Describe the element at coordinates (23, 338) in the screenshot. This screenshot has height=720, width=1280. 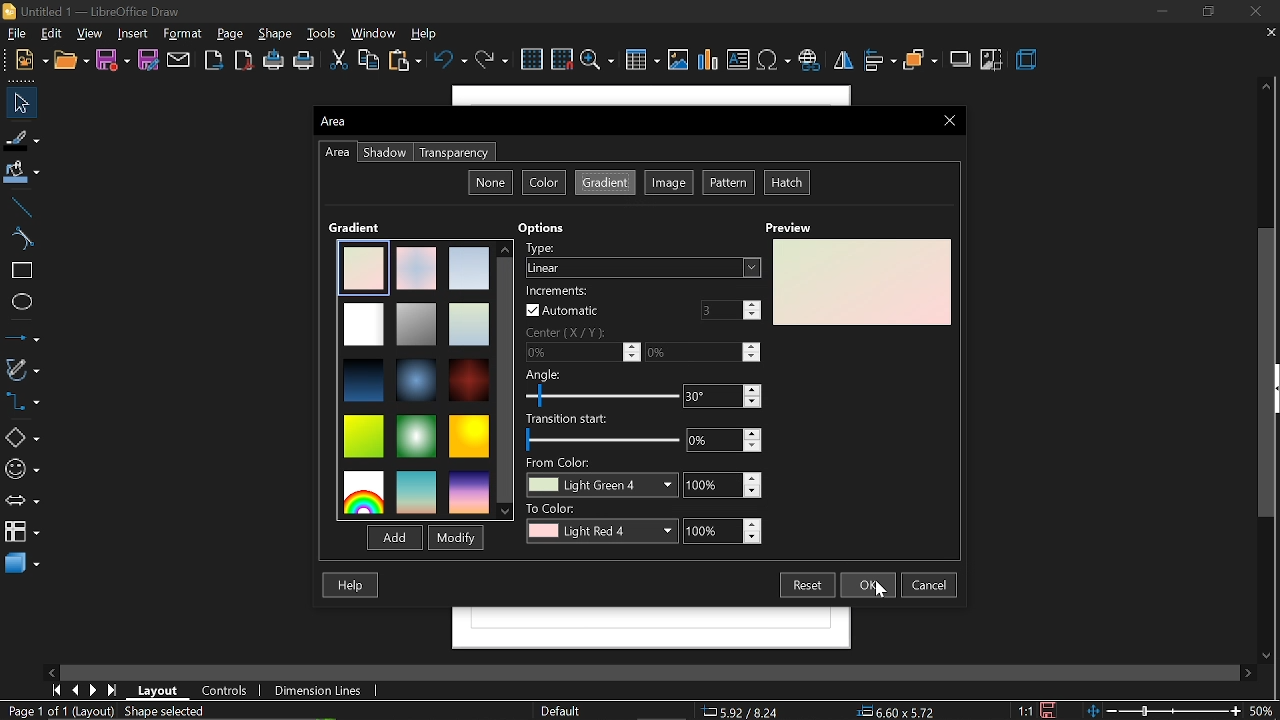
I see `lines and arrows` at that location.